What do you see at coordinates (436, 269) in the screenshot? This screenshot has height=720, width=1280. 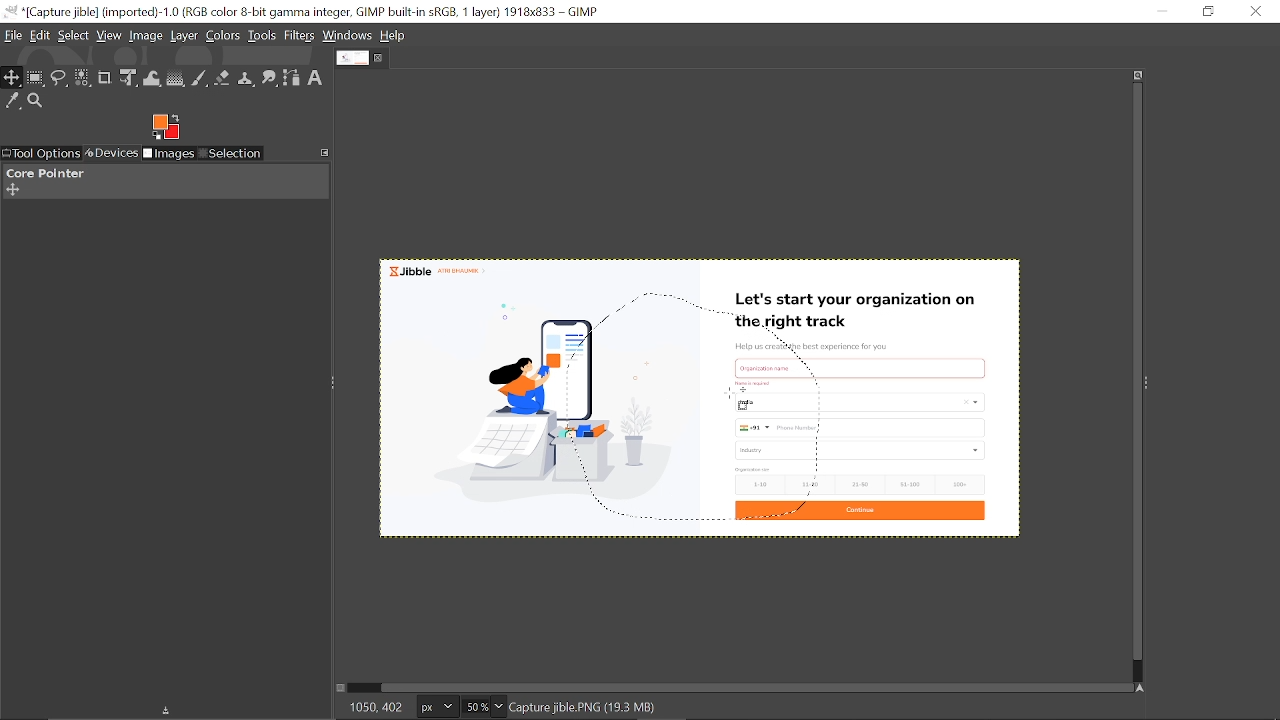 I see `Jibble` at bounding box center [436, 269].